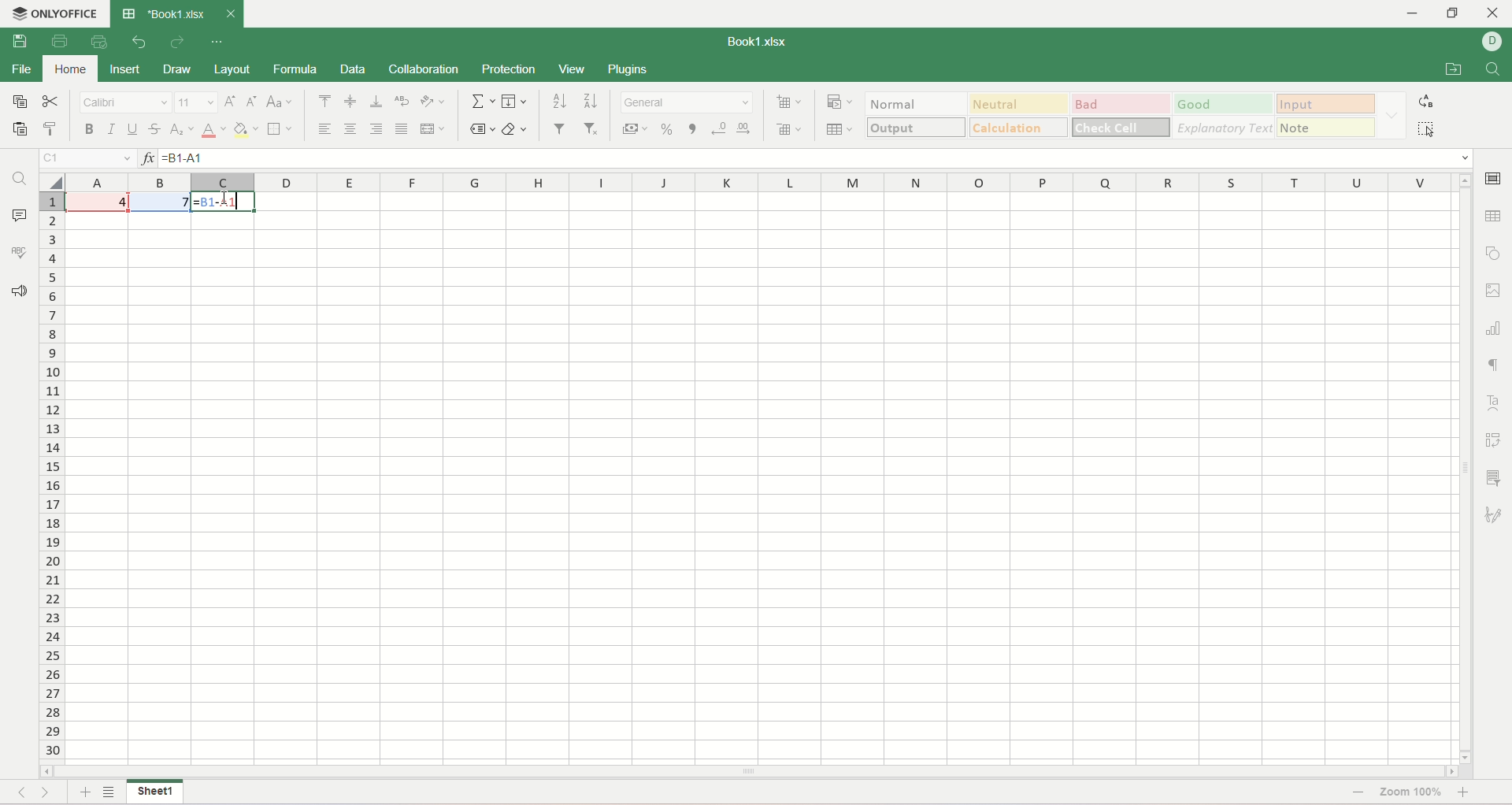 The image size is (1512, 805). What do you see at coordinates (1495, 69) in the screenshot?
I see `find` at bounding box center [1495, 69].